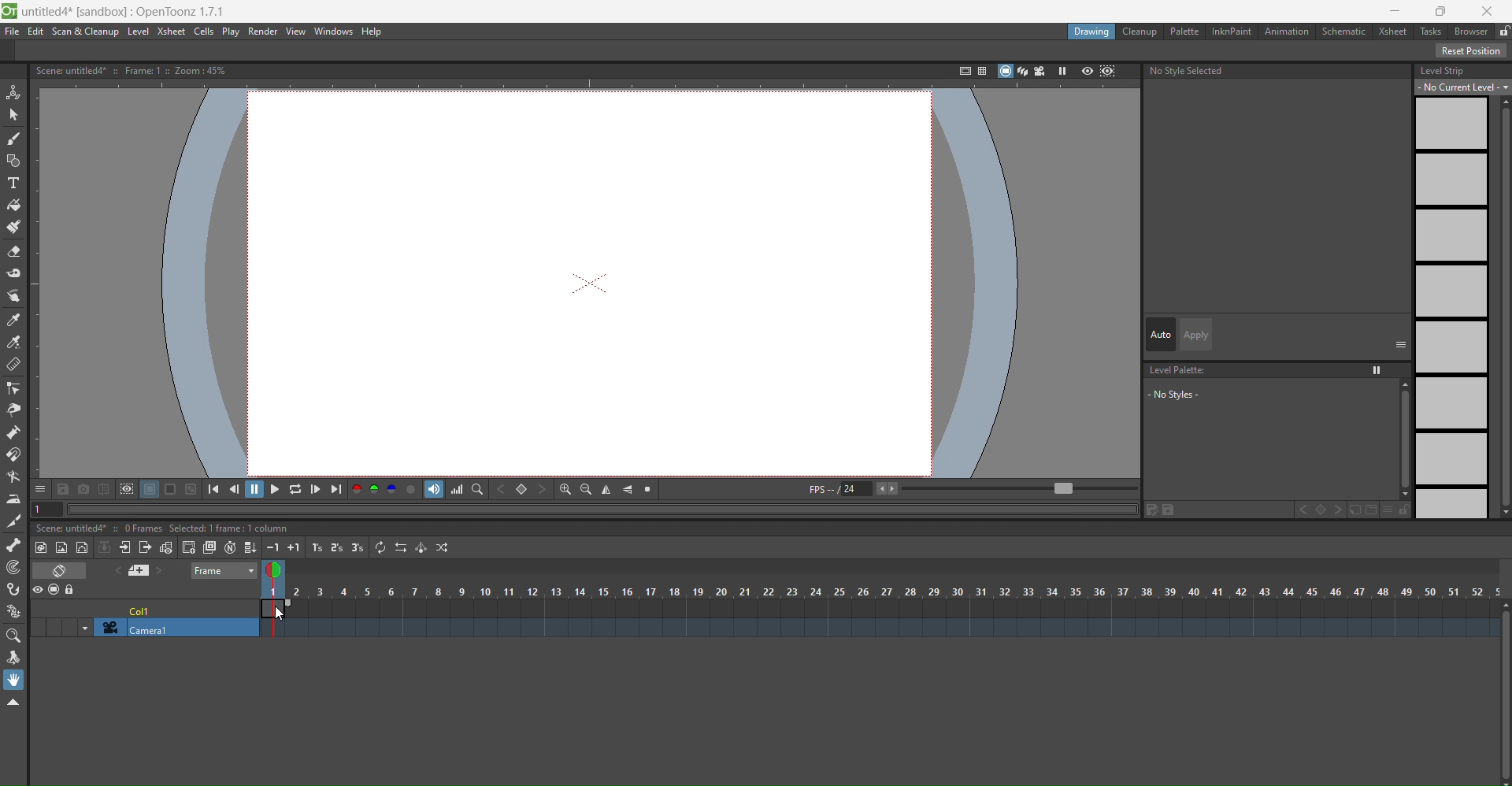  I want to click on close, so click(1488, 11).